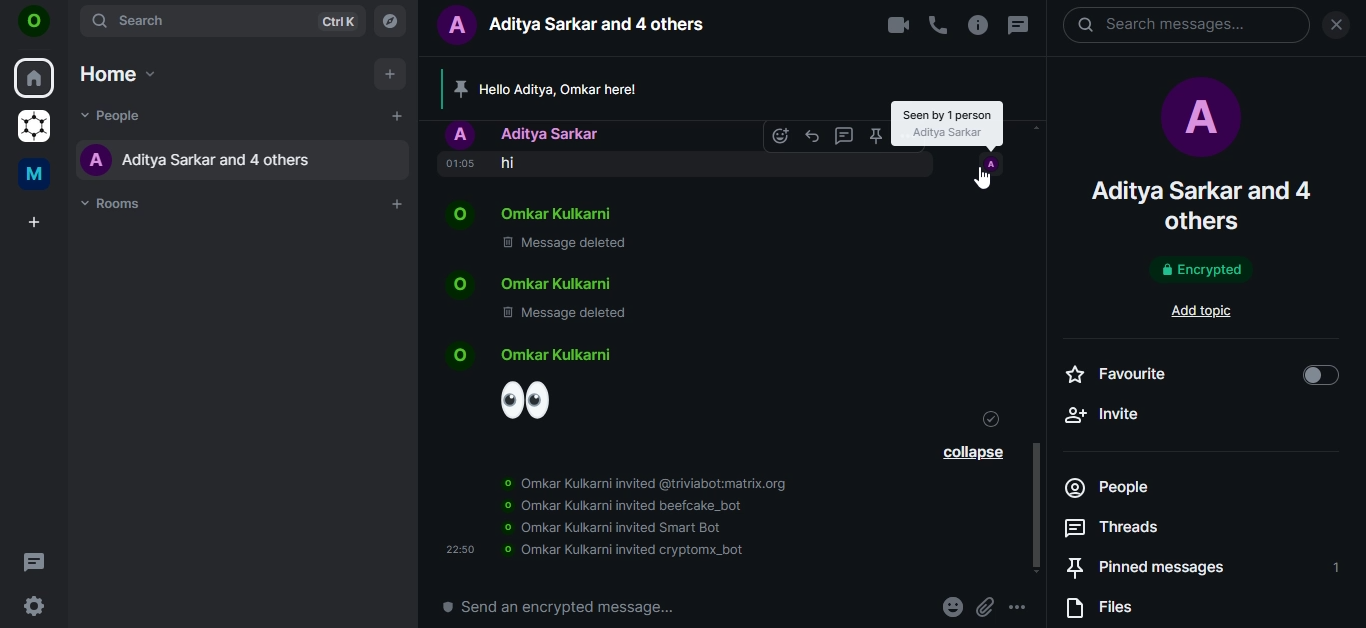 This screenshot has height=628, width=1366. What do you see at coordinates (194, 158) in the screenshot?
I see `aditya sarkar and 4 others` at bounding box center [194, 158].